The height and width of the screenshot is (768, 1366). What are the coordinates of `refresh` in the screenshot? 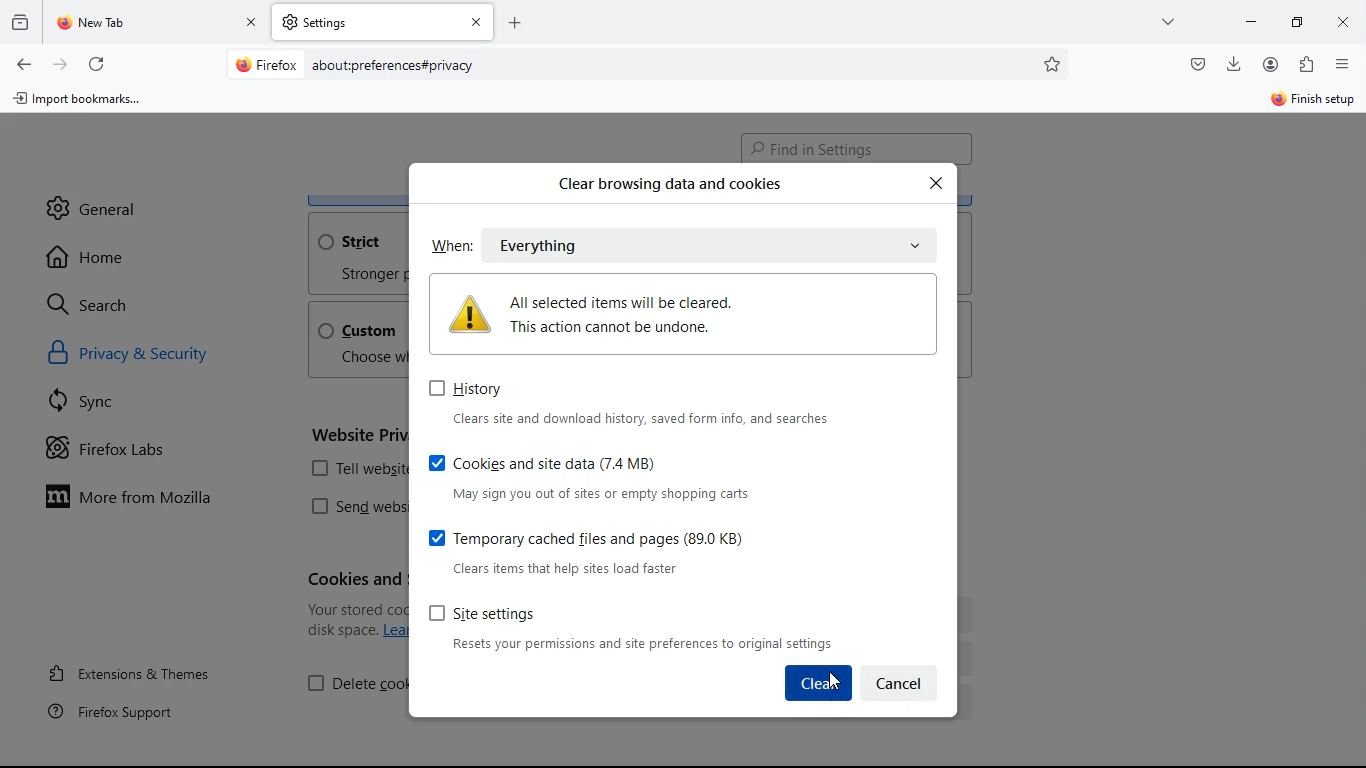 It's located at (96, 61).